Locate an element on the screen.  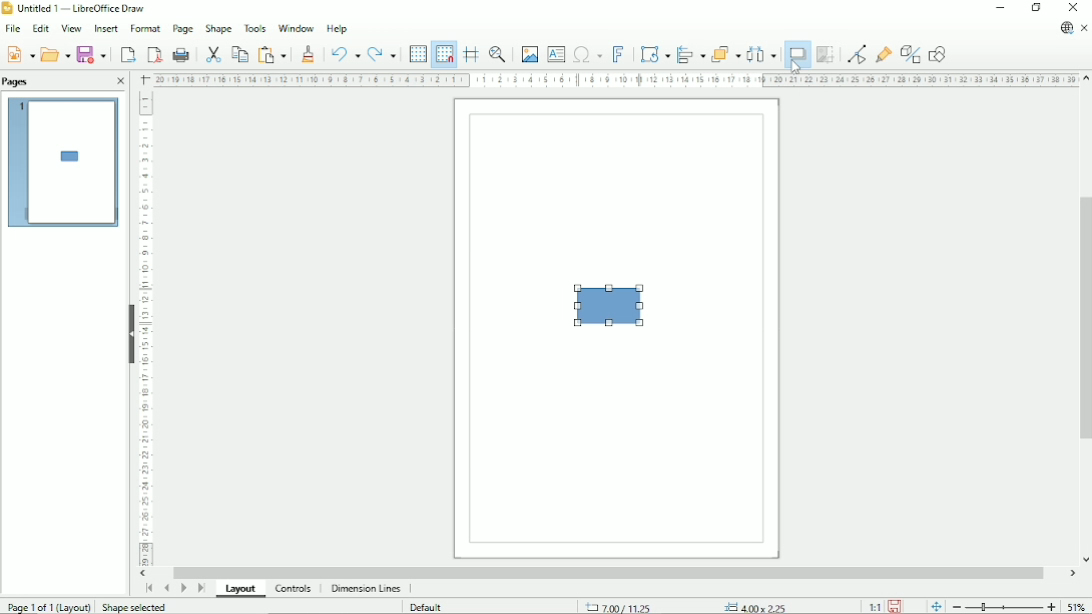
Open is located at coordinates (55, 54).